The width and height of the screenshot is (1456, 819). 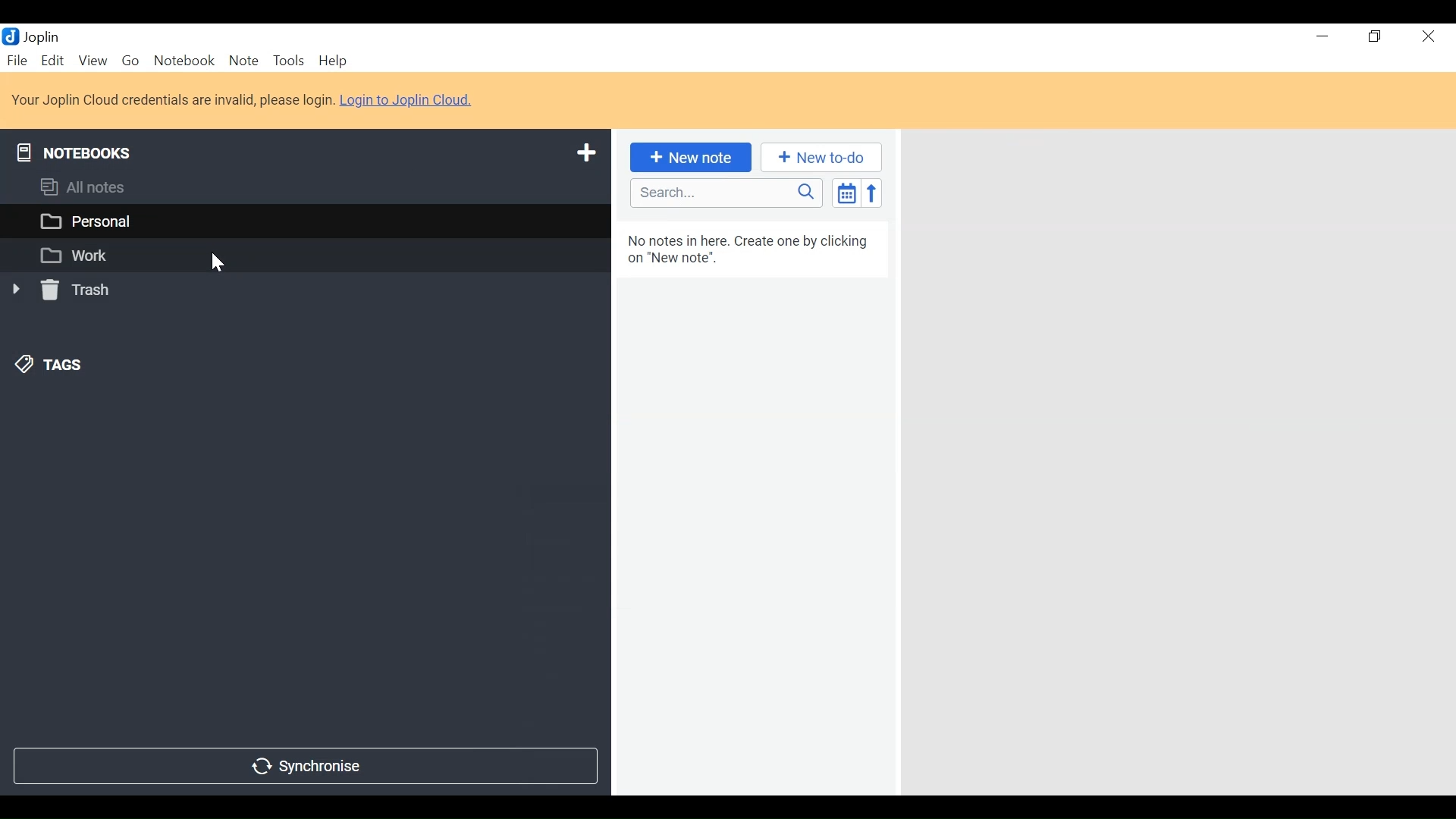 What do you see at coordinates (690, 158) in the screenshot?
I see `Add New Note` at bounding box center [690, 158].